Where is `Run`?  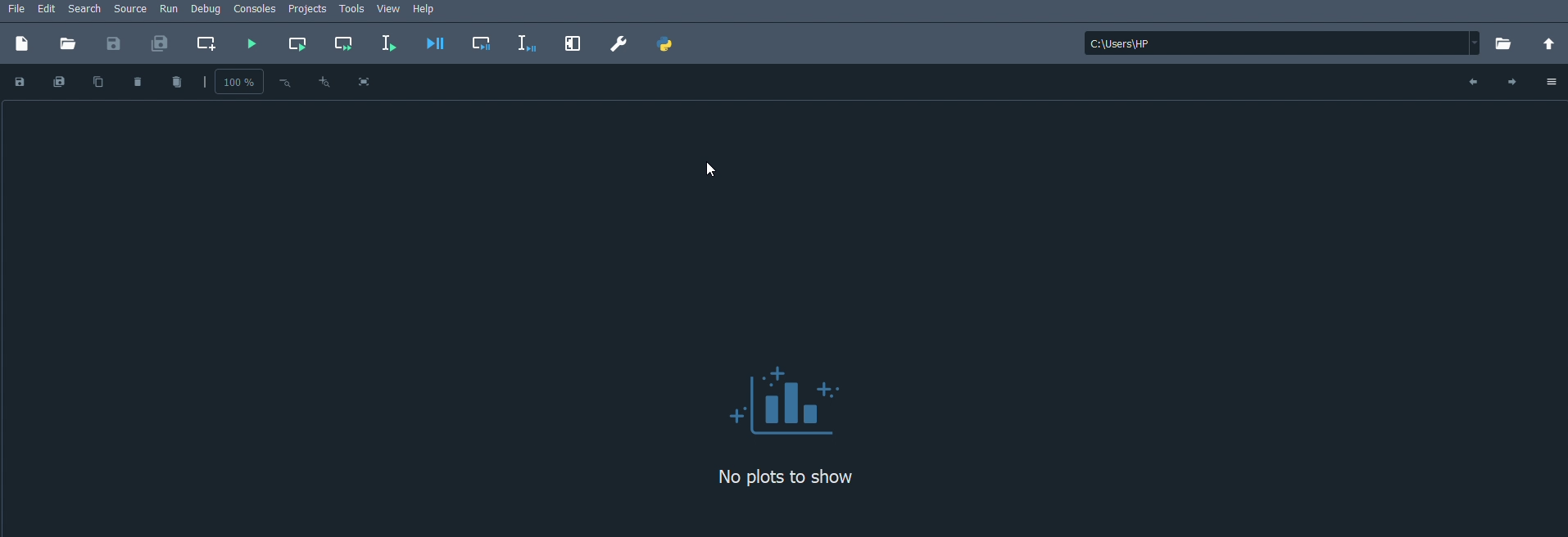
Run is located at coordinates (170, 11).